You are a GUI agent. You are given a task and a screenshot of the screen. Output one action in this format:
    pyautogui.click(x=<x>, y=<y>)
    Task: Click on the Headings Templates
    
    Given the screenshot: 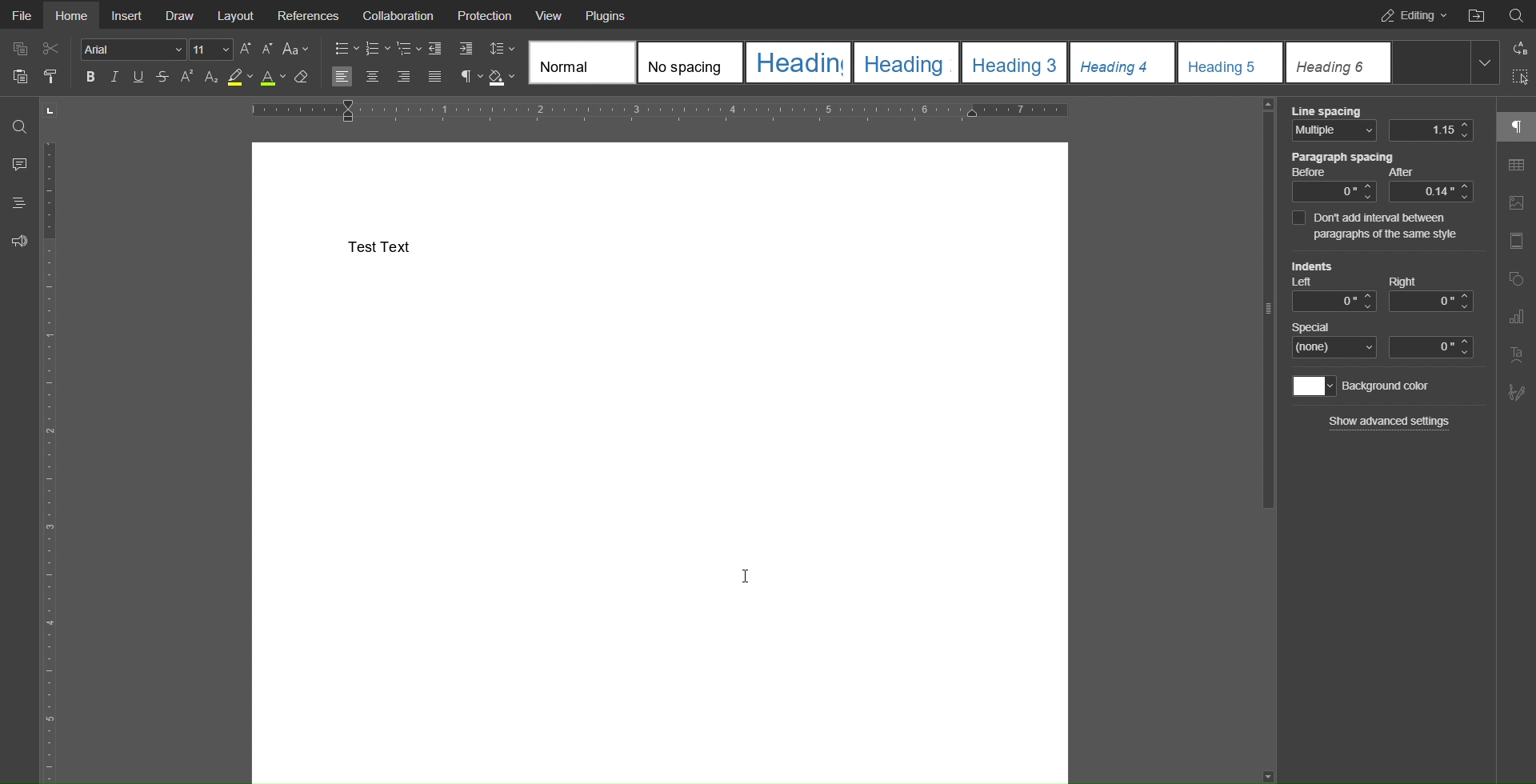 What is the action you would take?
    pyautogui.click(x=1010, y=63)
    